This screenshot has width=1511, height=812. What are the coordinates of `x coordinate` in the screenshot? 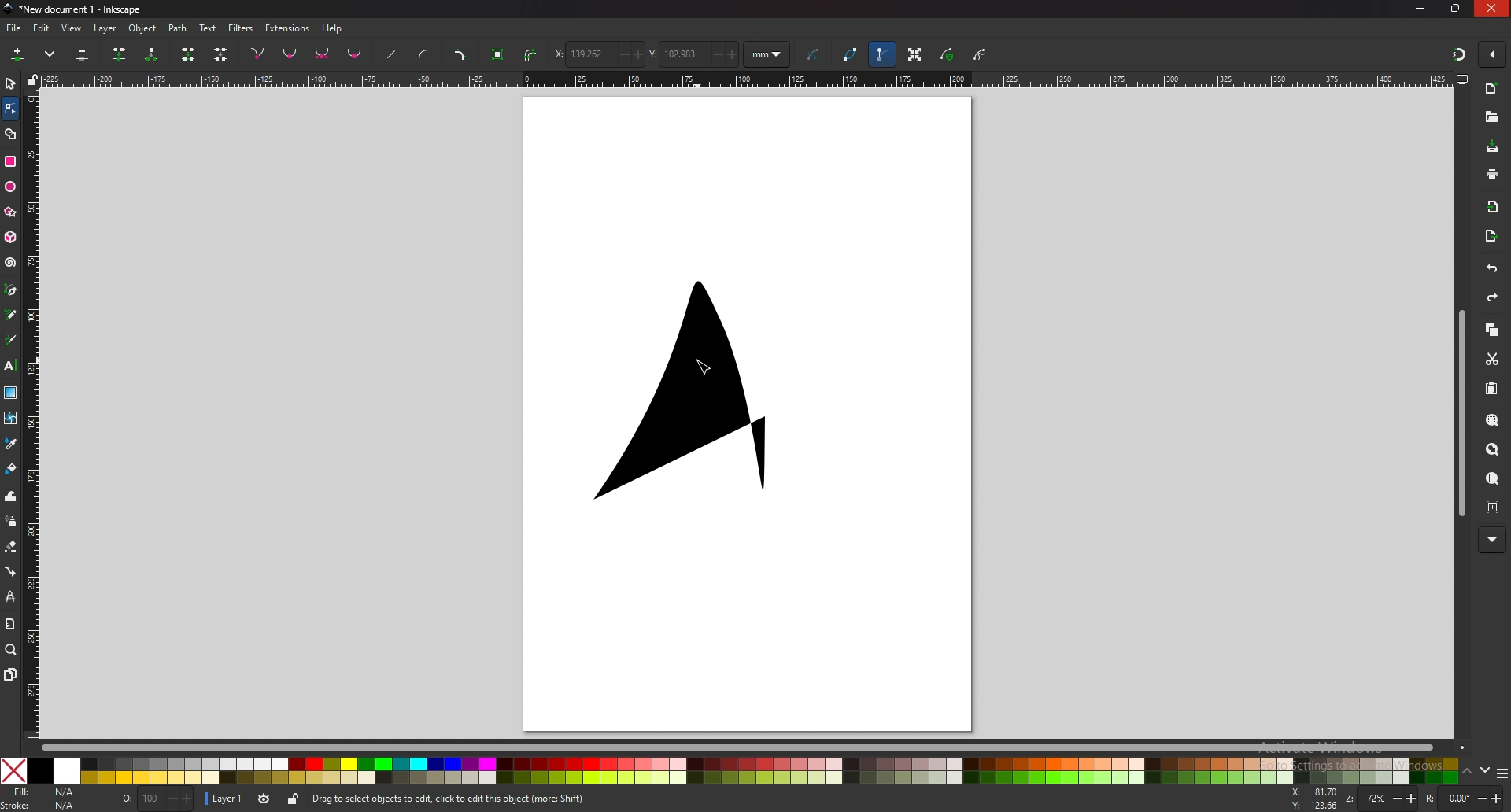 It's located at (597, 54).